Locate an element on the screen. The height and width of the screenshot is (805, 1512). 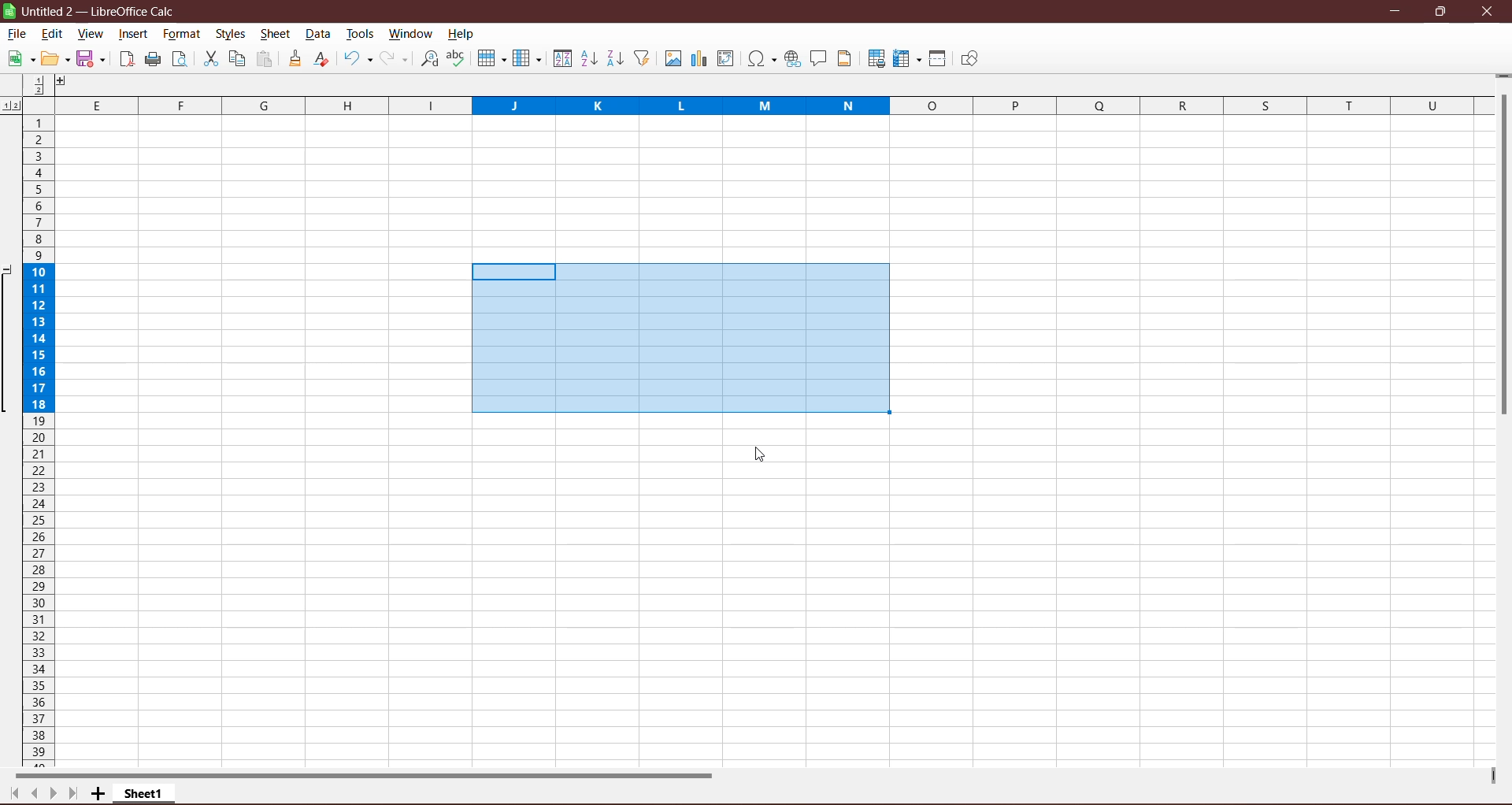
Add New Sheet is located at coordinates (98, 794).